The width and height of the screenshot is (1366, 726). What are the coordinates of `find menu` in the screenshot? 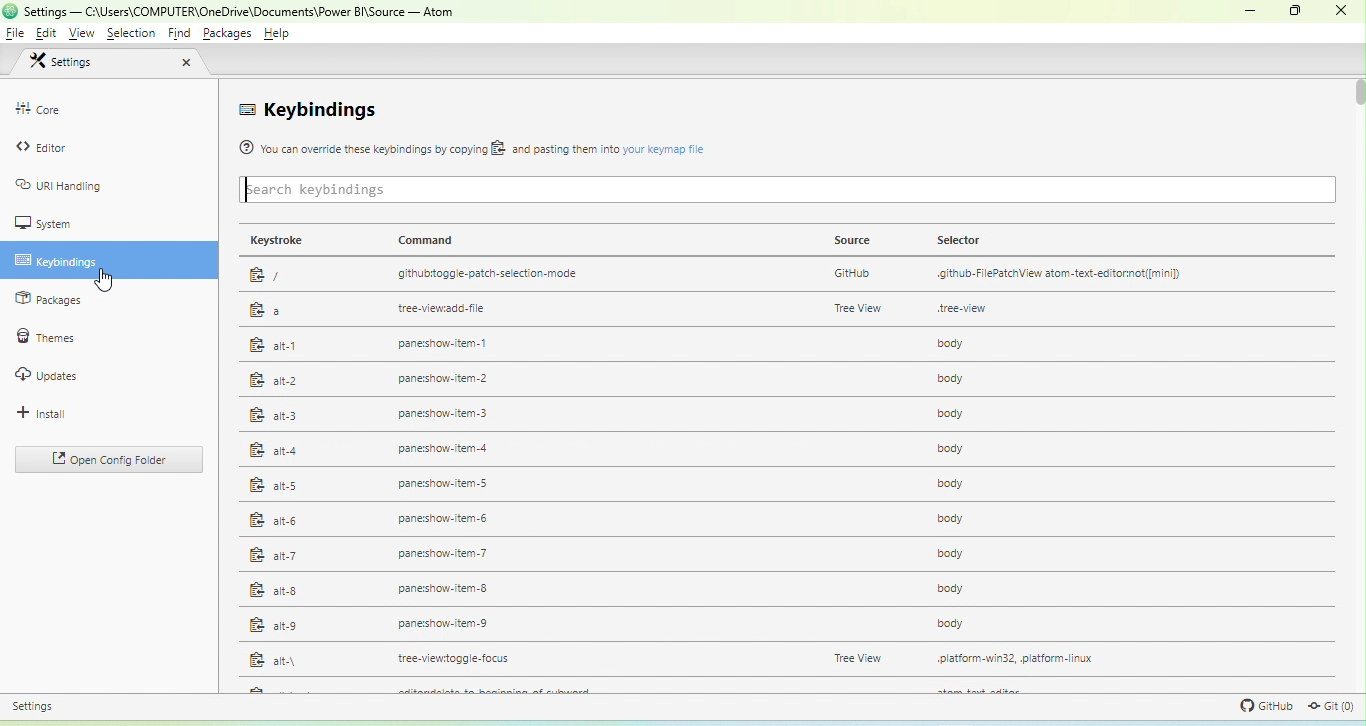 It's located at (179, 33).